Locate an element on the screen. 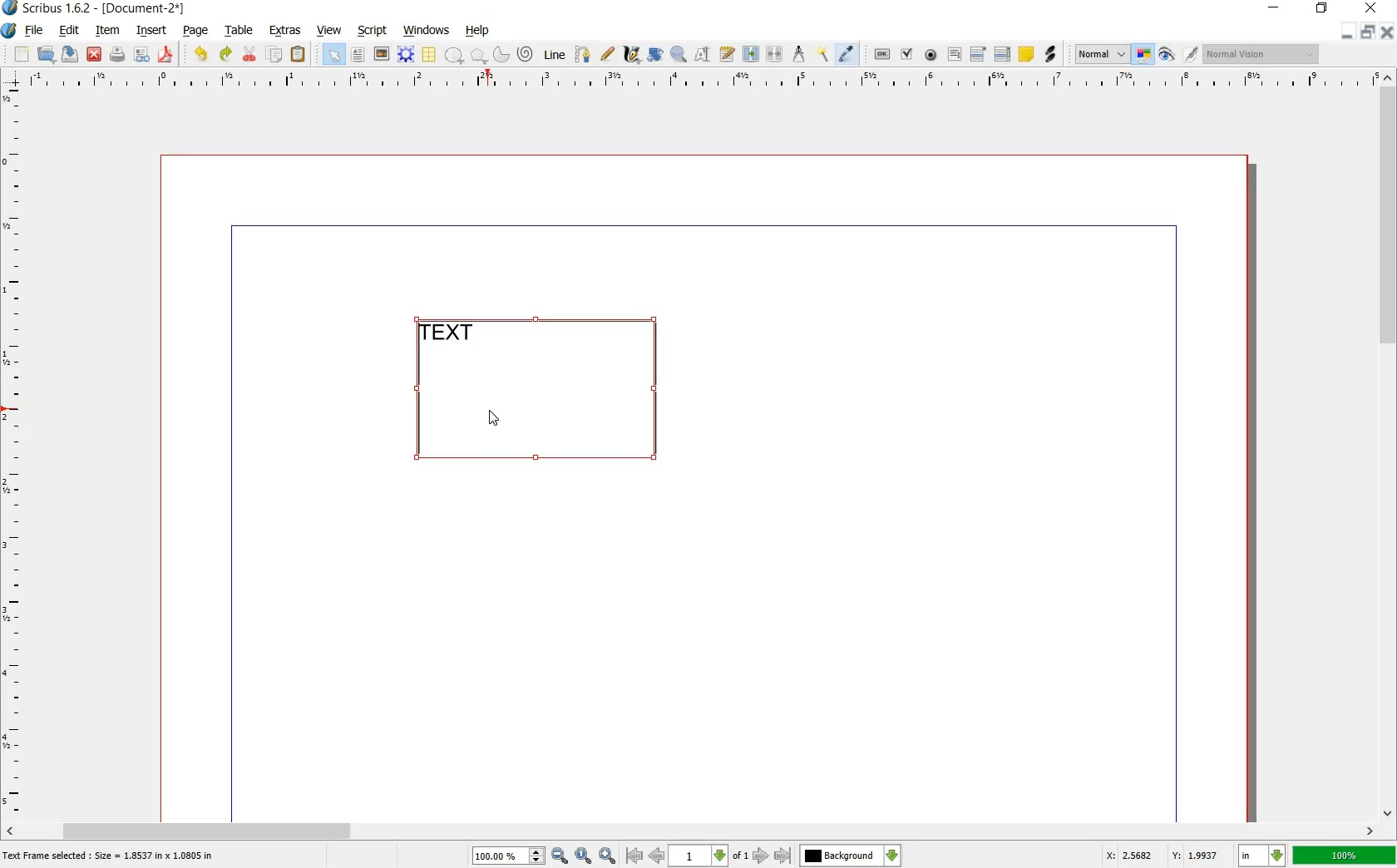 The height and width of the screenshot is (868, 1397). edit is located at coordinates (70, 31).